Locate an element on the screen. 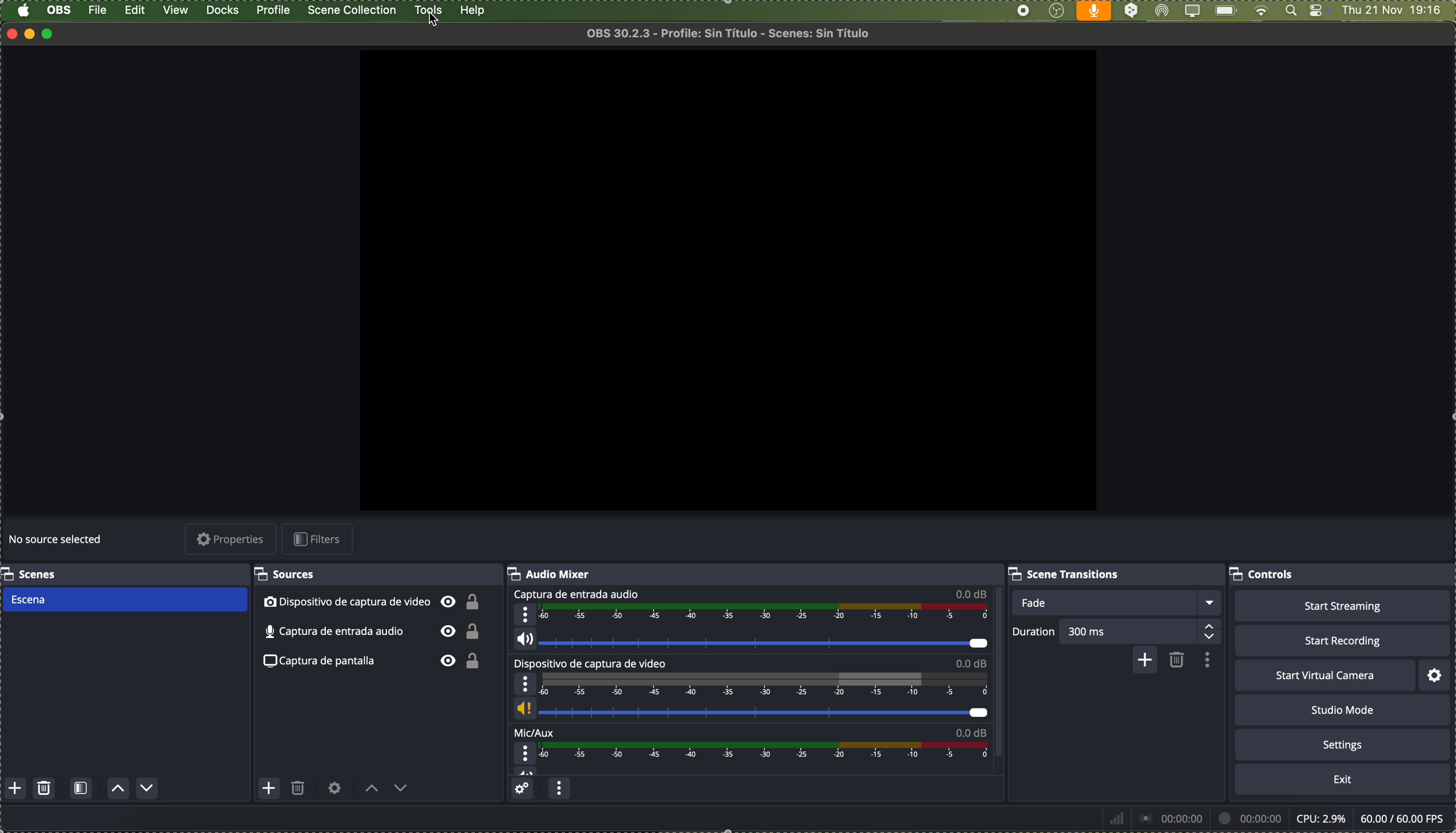 The image size is (1456, 833). controls is located at coordinates (1319, 11).